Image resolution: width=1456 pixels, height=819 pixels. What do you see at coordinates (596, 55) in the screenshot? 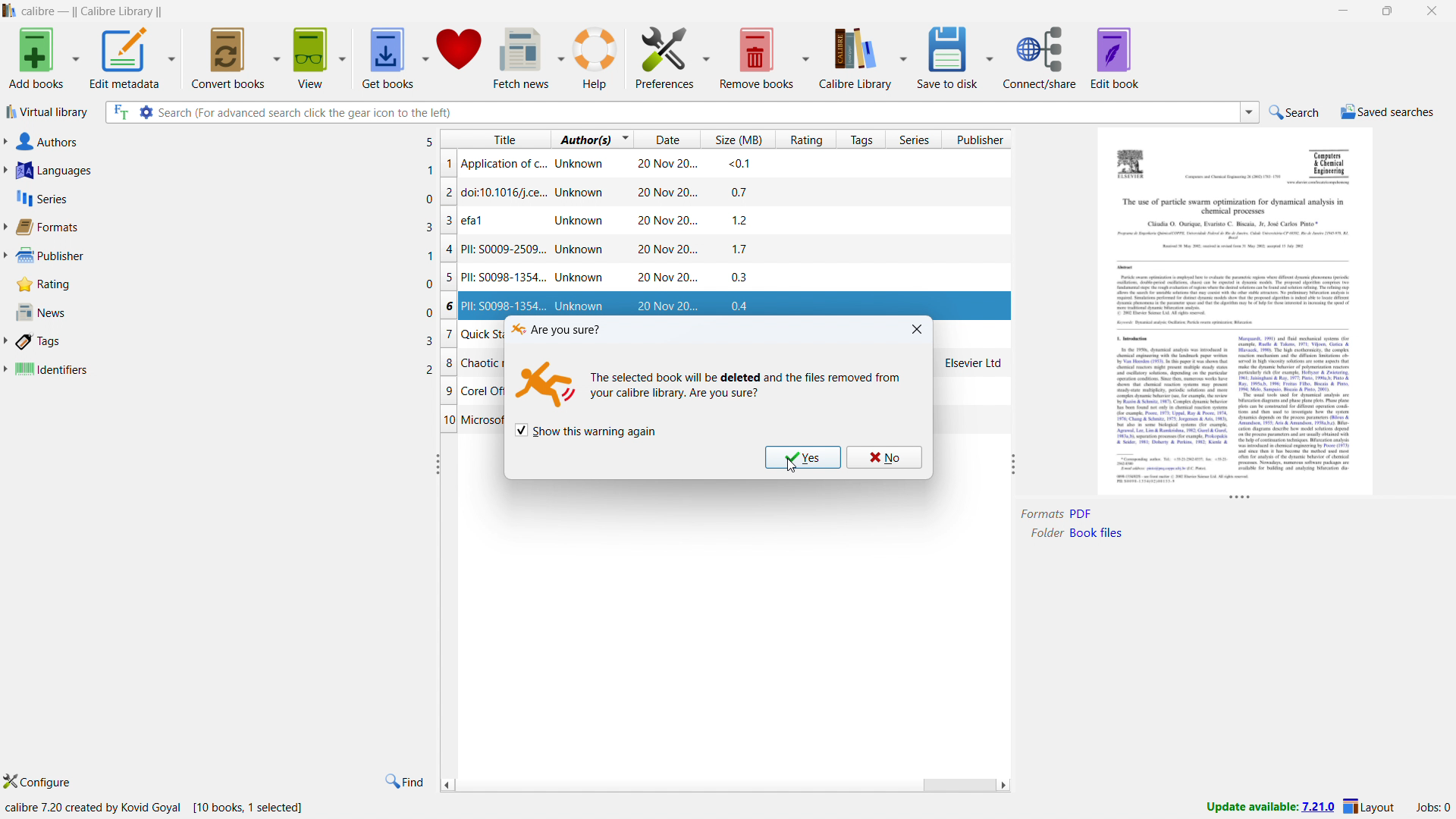
I see `help` at bounding box center [596, 55].